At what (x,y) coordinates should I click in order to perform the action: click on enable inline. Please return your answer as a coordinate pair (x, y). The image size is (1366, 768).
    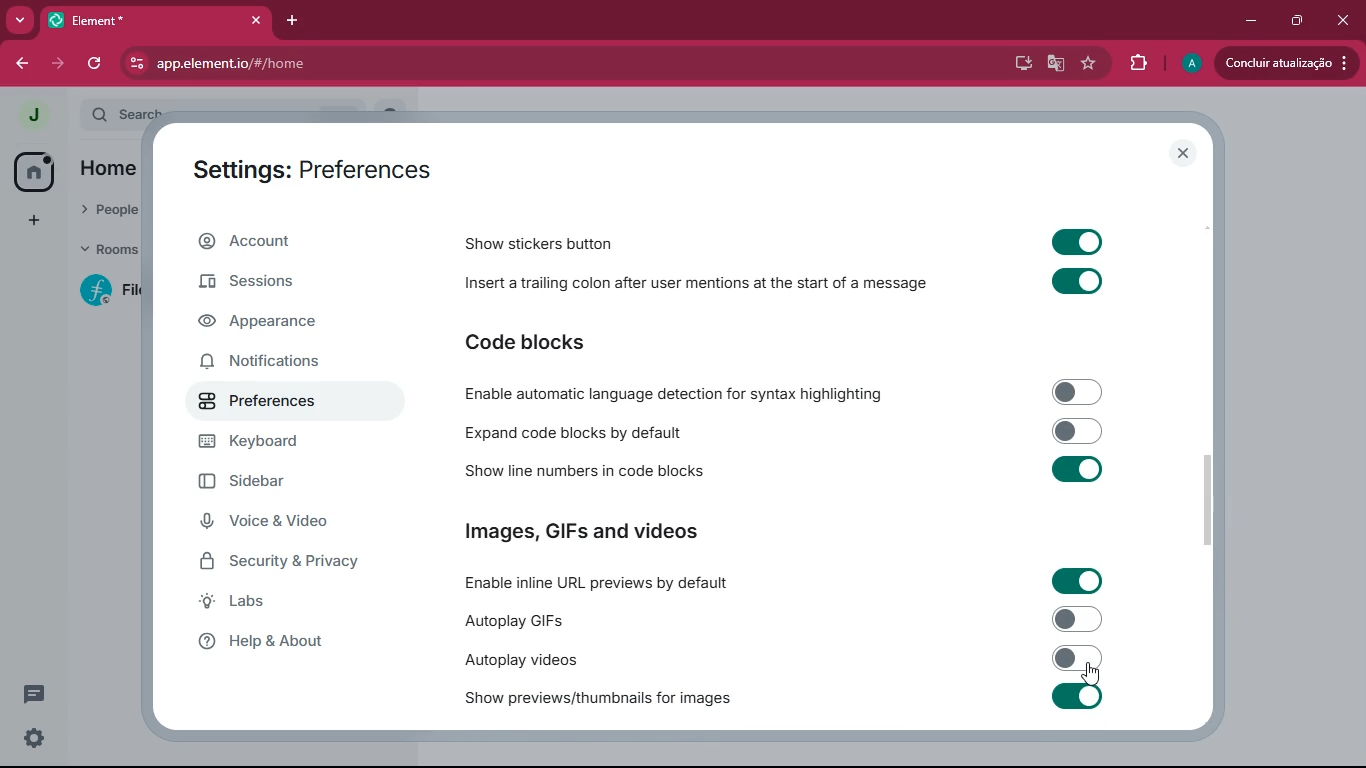
    Looking at the image, I should click on (599, 584).